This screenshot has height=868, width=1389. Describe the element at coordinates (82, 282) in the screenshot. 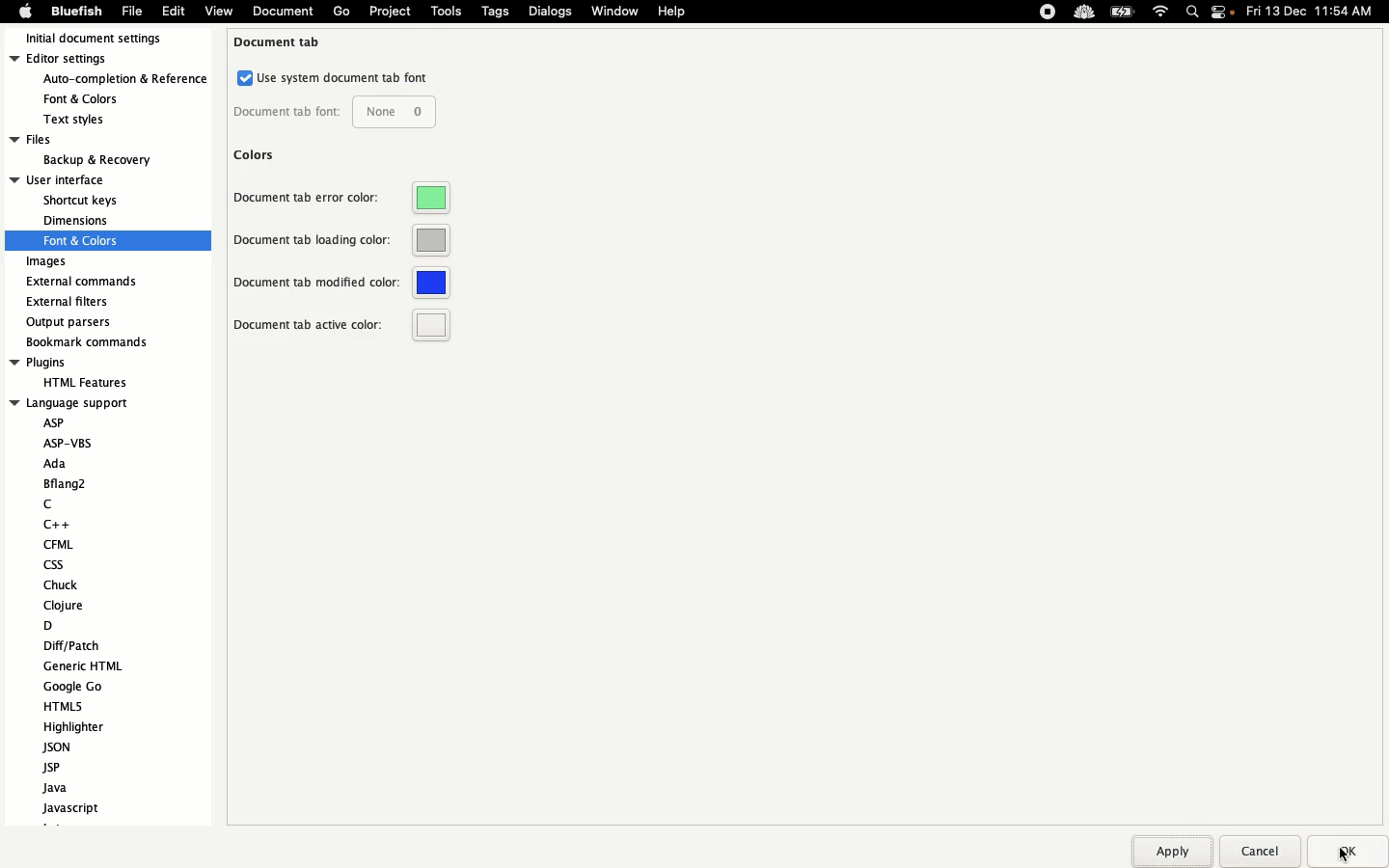

I see `External commands` at that location.